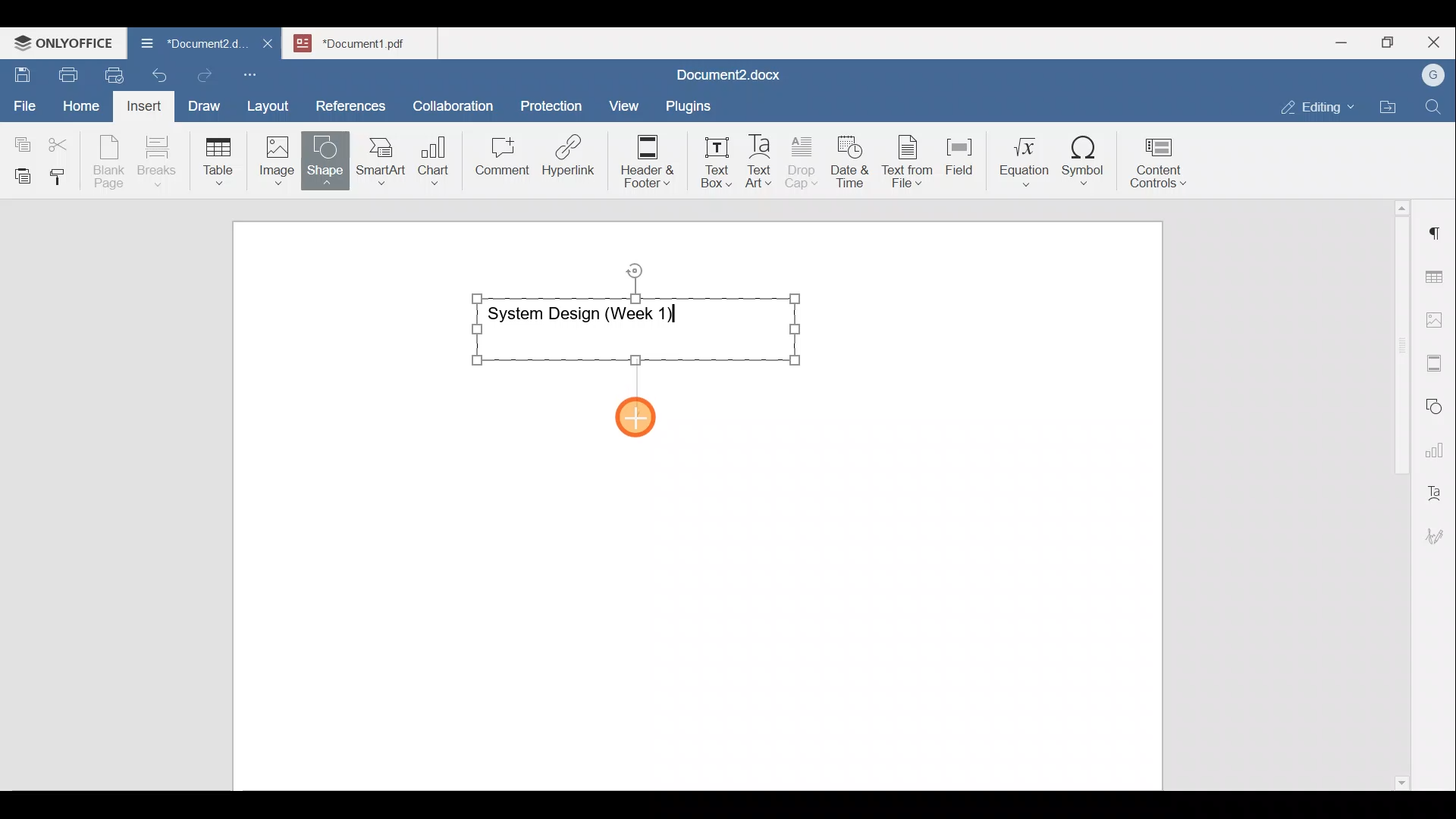 The height and width of the screenshot is (819, 1456). What do you see at coordinates (1341, 41) in the screenshot?
I see `Minimize` at bounding box center [1341, 41].